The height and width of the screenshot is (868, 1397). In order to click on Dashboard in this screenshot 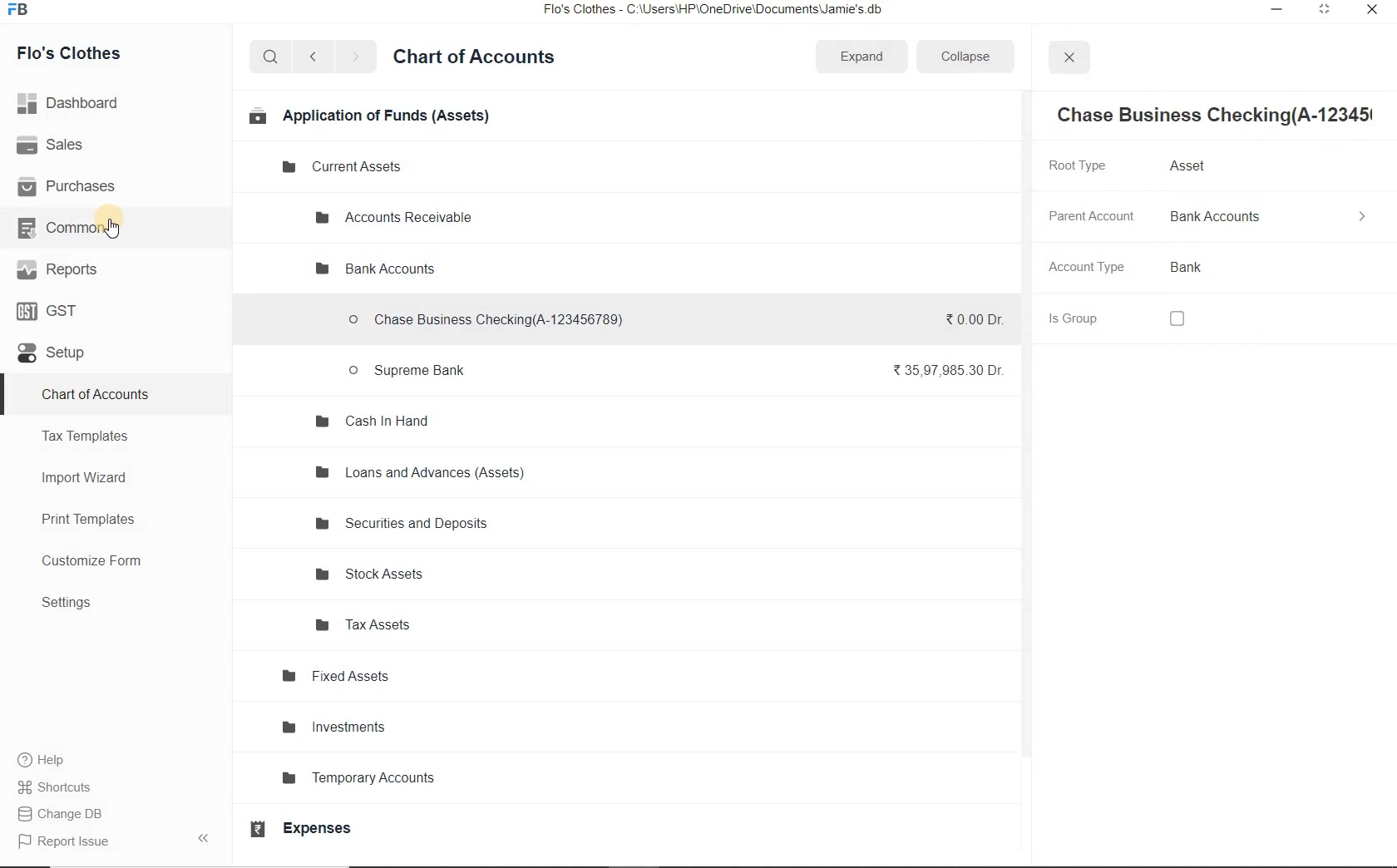, I will do `click(74, 101)`.